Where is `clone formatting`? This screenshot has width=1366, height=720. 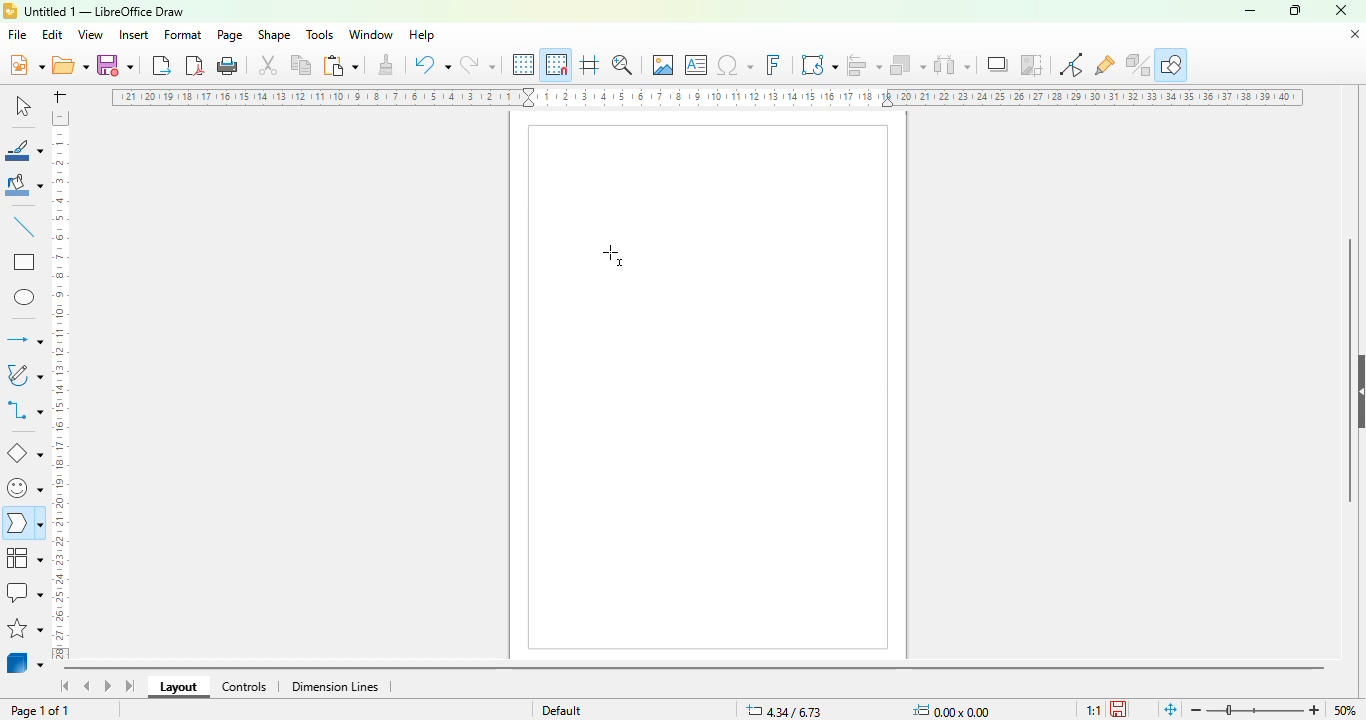 clone formatting is located at coordinates (387, 63).